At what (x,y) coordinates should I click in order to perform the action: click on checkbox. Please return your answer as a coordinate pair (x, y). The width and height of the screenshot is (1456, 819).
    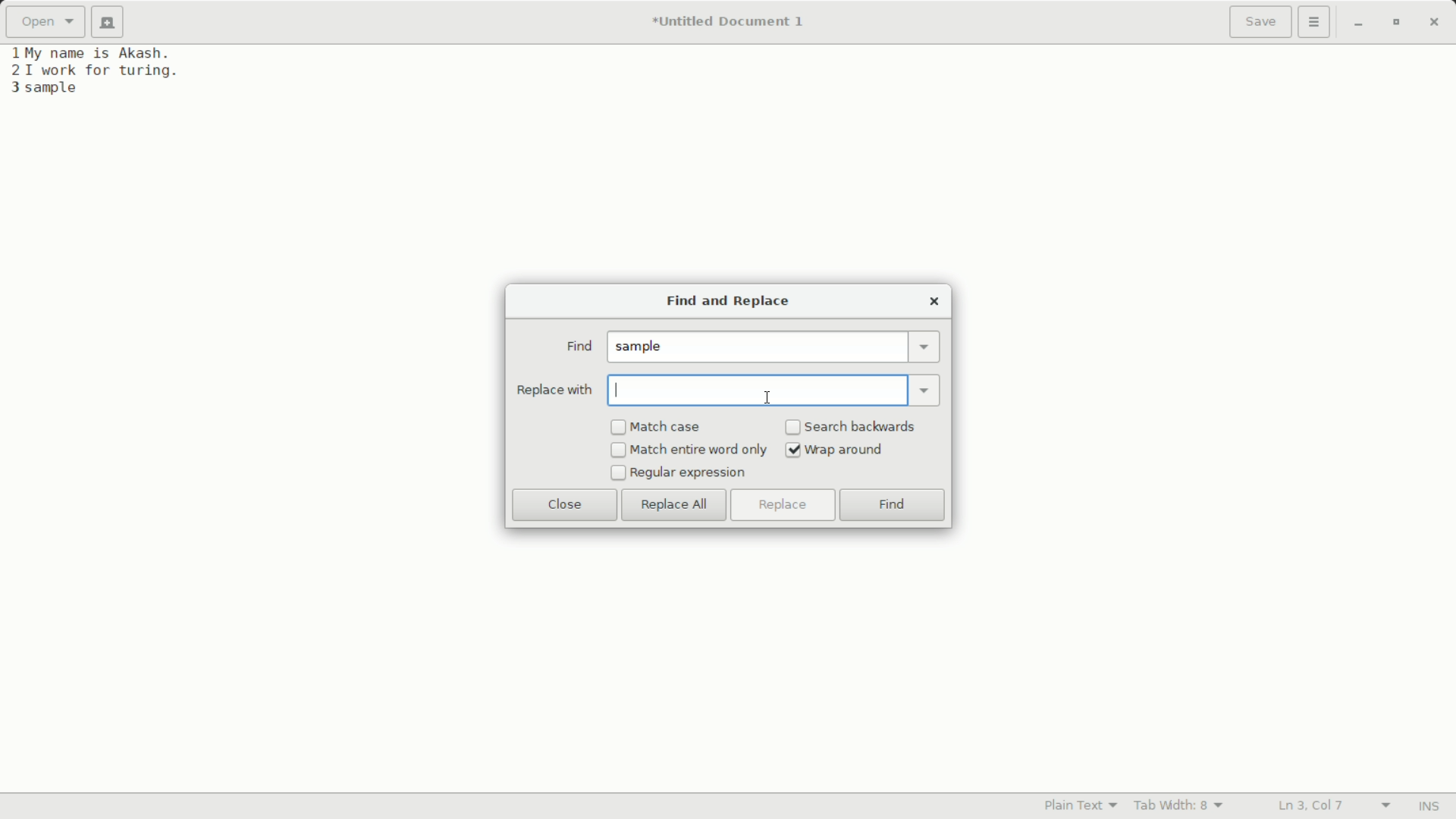
    Looking at the image, I should click on (617, 473).